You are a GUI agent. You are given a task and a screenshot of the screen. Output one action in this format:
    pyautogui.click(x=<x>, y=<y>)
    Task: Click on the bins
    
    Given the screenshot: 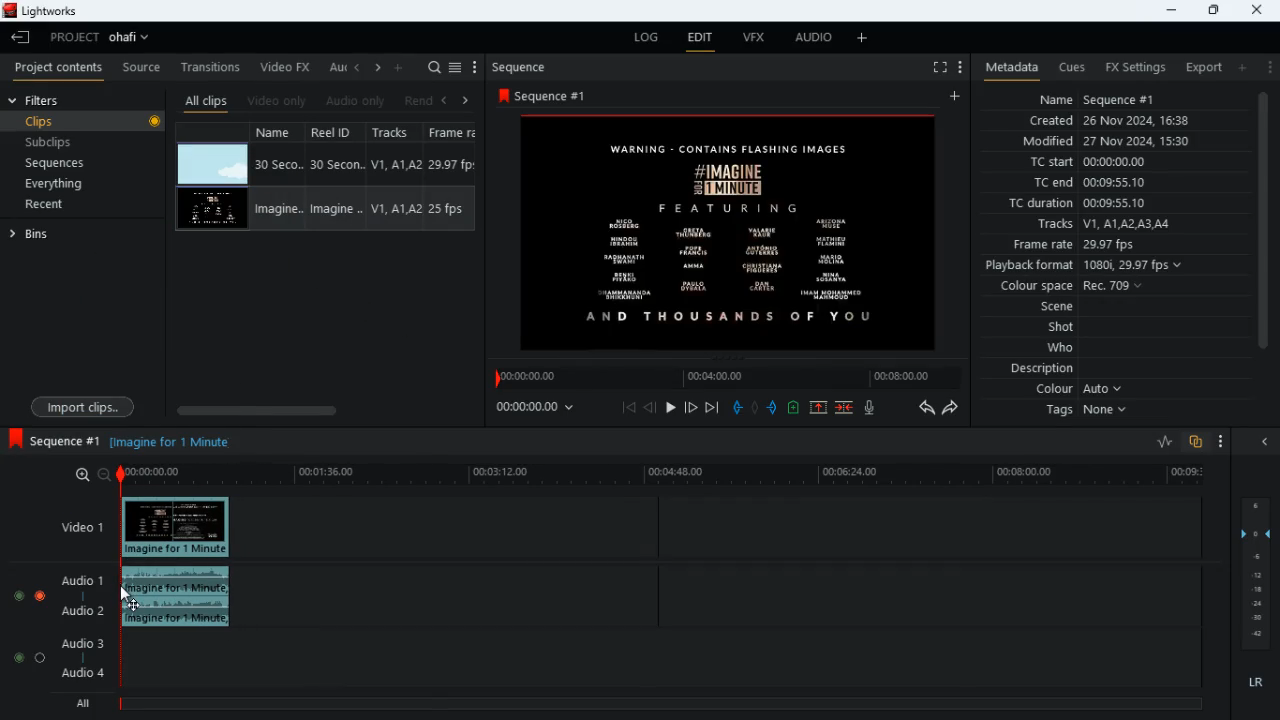 What is the action you would take?
    pyautogui.click(x=82, y=233)
    